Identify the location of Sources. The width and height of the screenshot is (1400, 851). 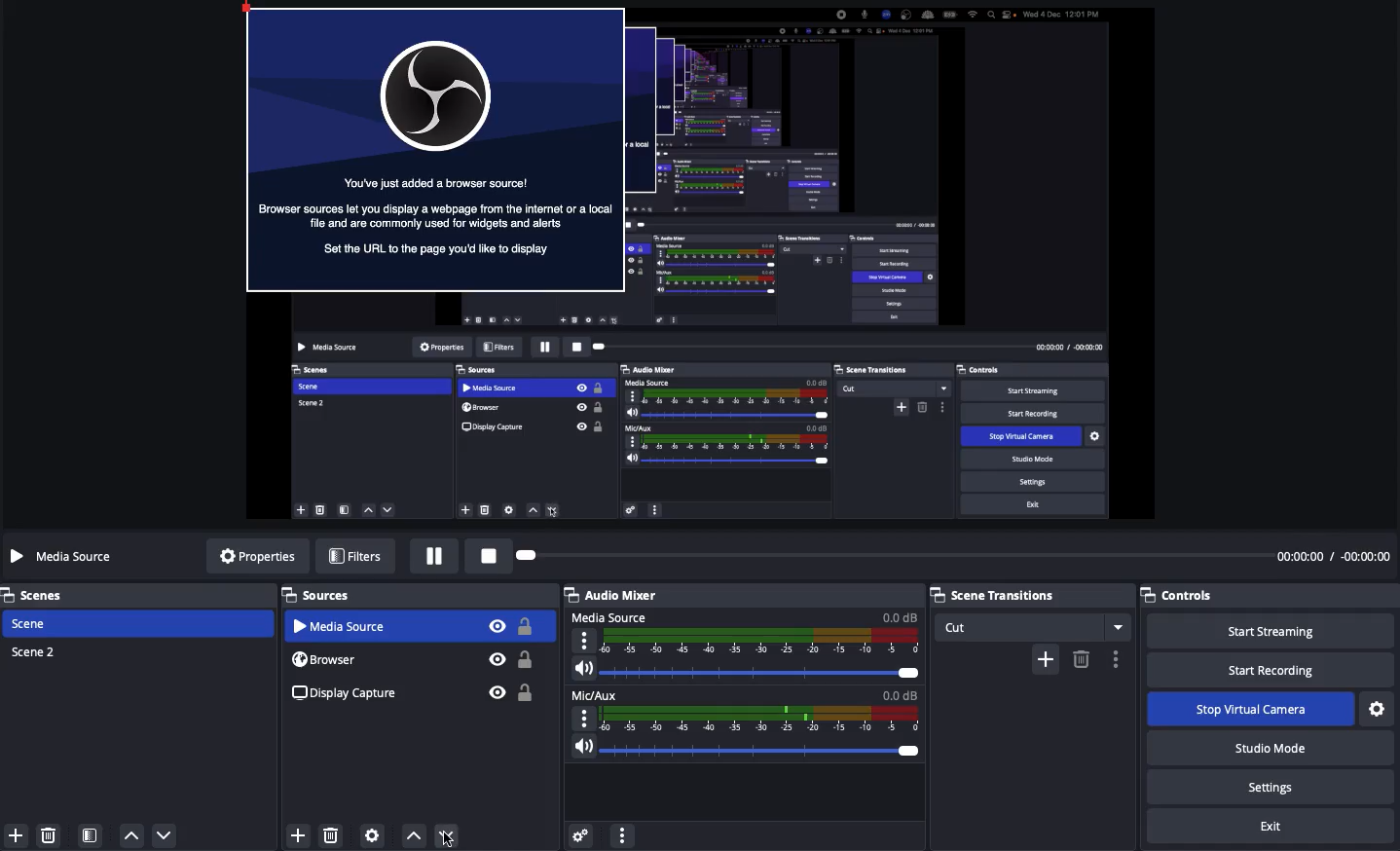
(321, 595).